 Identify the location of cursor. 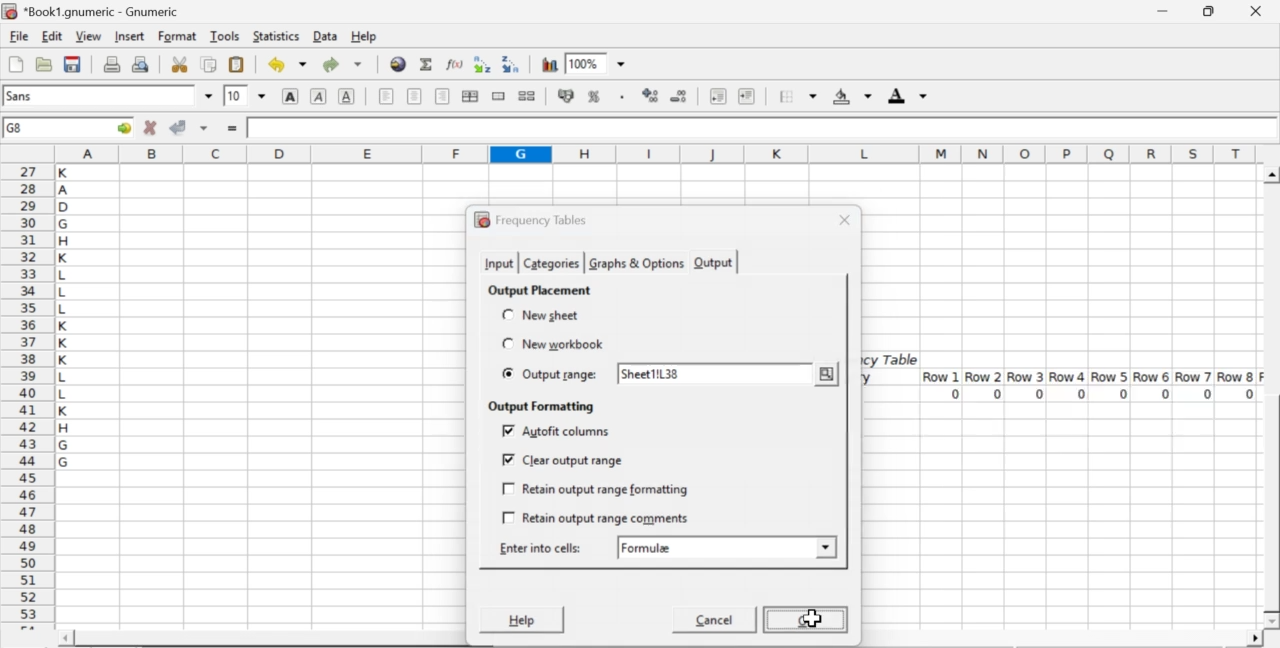
(811, 618).